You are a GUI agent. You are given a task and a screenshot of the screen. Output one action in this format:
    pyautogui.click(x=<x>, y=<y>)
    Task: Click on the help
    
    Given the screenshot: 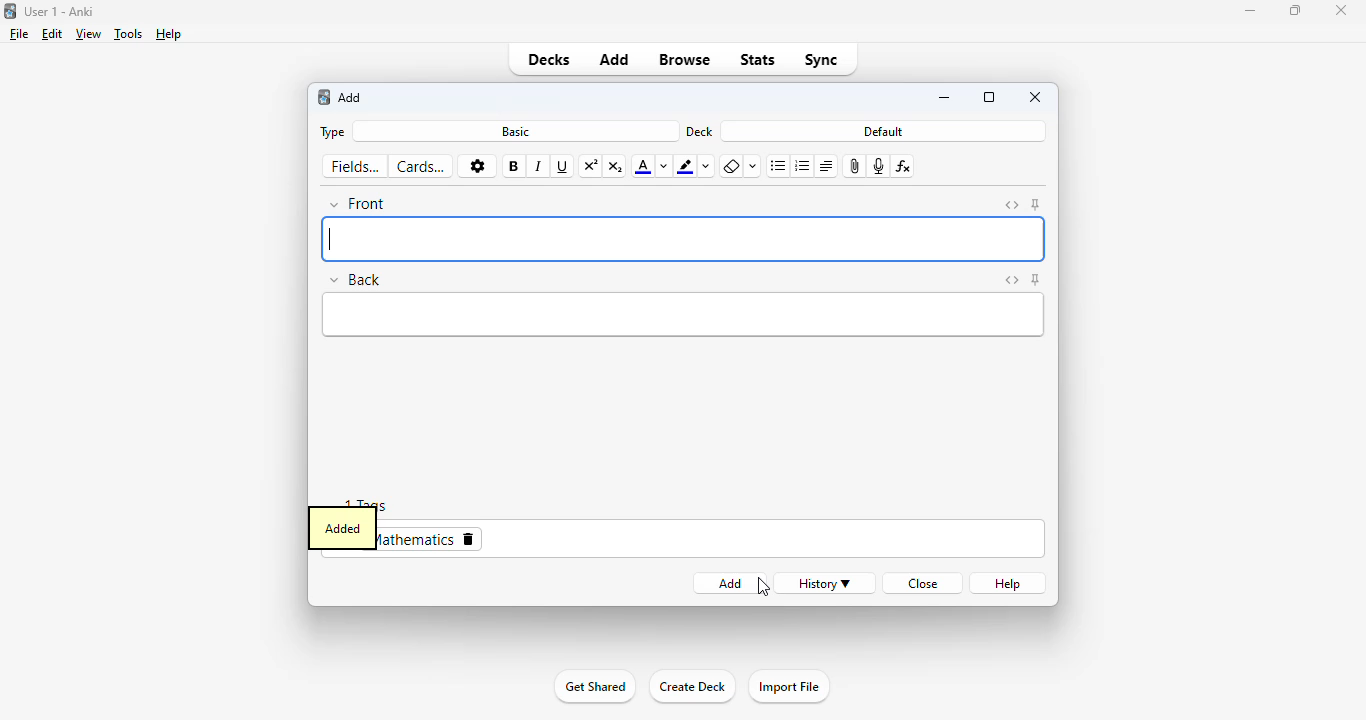 What is the action you would take?
    pyautogui.click(x=169, y=34)
    